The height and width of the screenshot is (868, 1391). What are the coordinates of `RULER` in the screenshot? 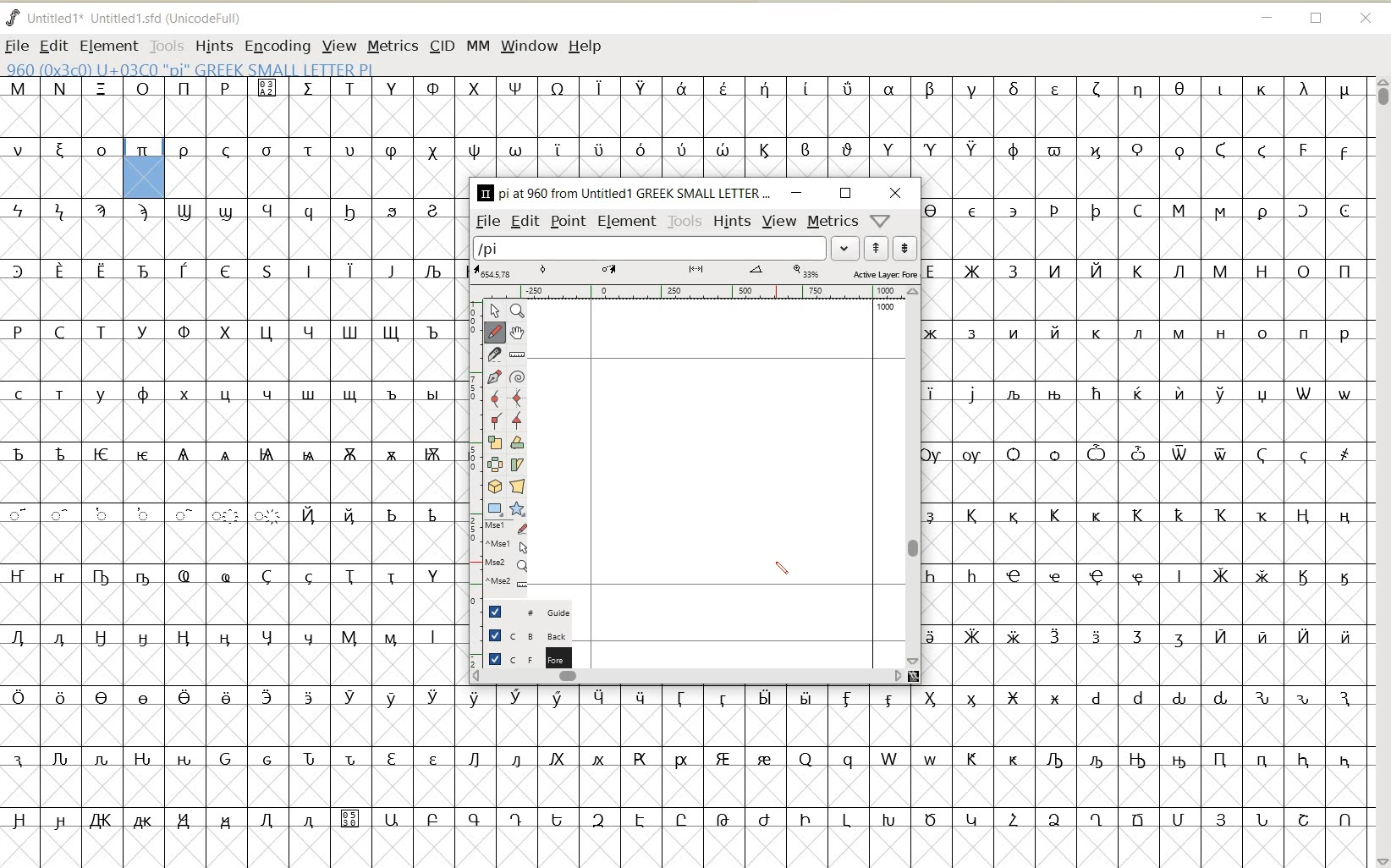 It's located at (694, 293).